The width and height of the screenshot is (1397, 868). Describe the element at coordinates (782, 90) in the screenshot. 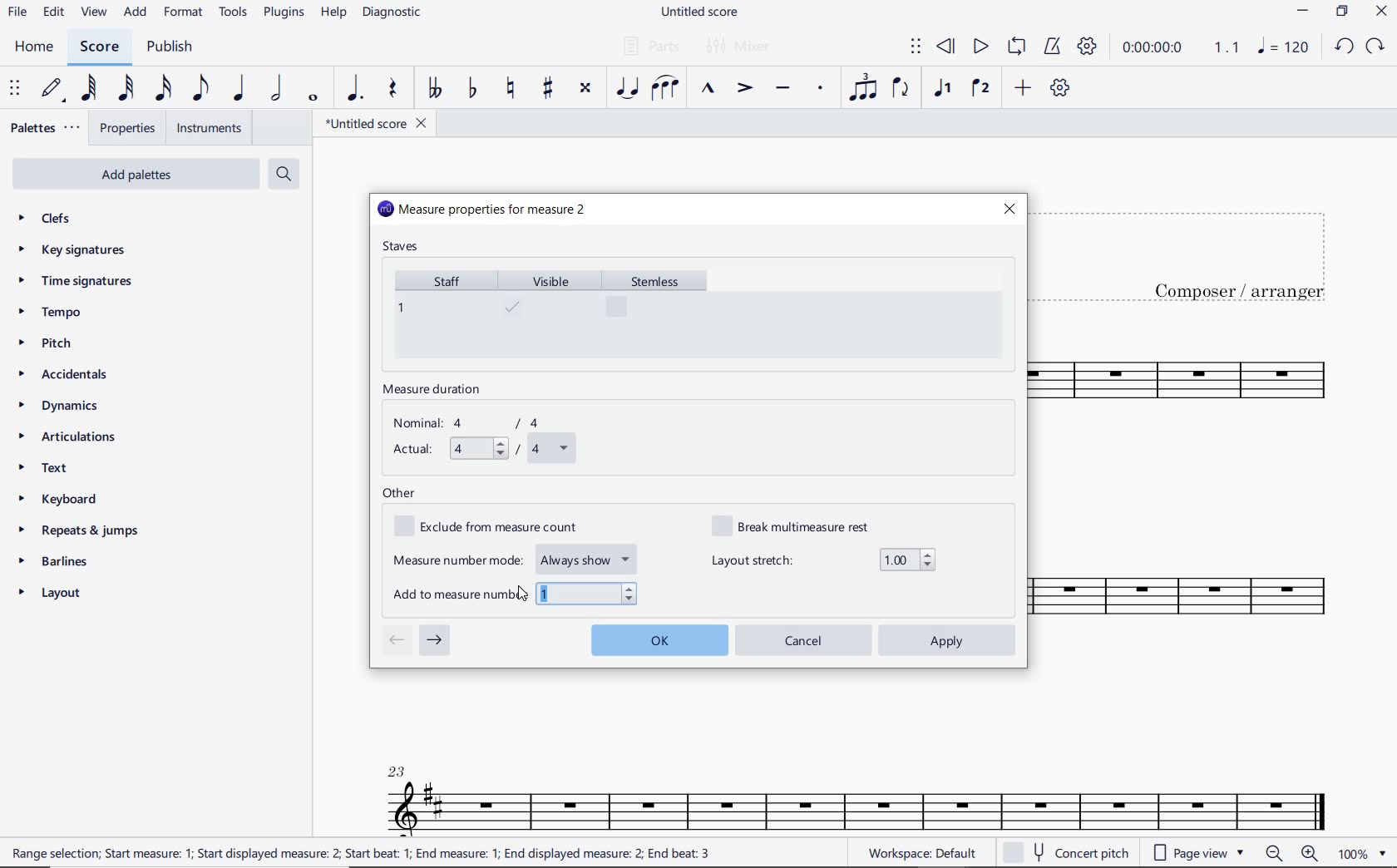

I see `TENUTO` at that location.